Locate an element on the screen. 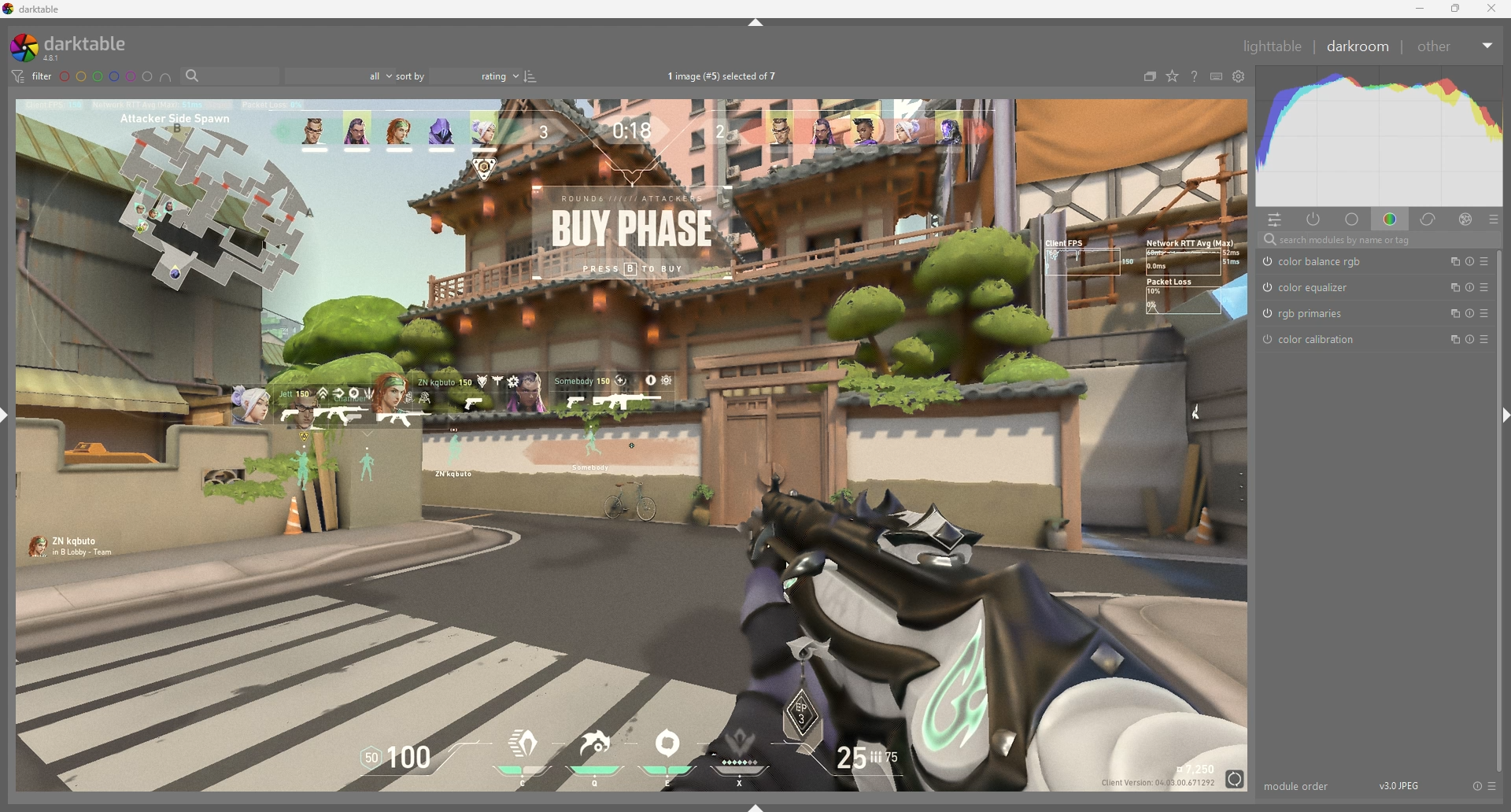 This screenshot has width=1511, height=812. show is located at coordinates (760, 807).